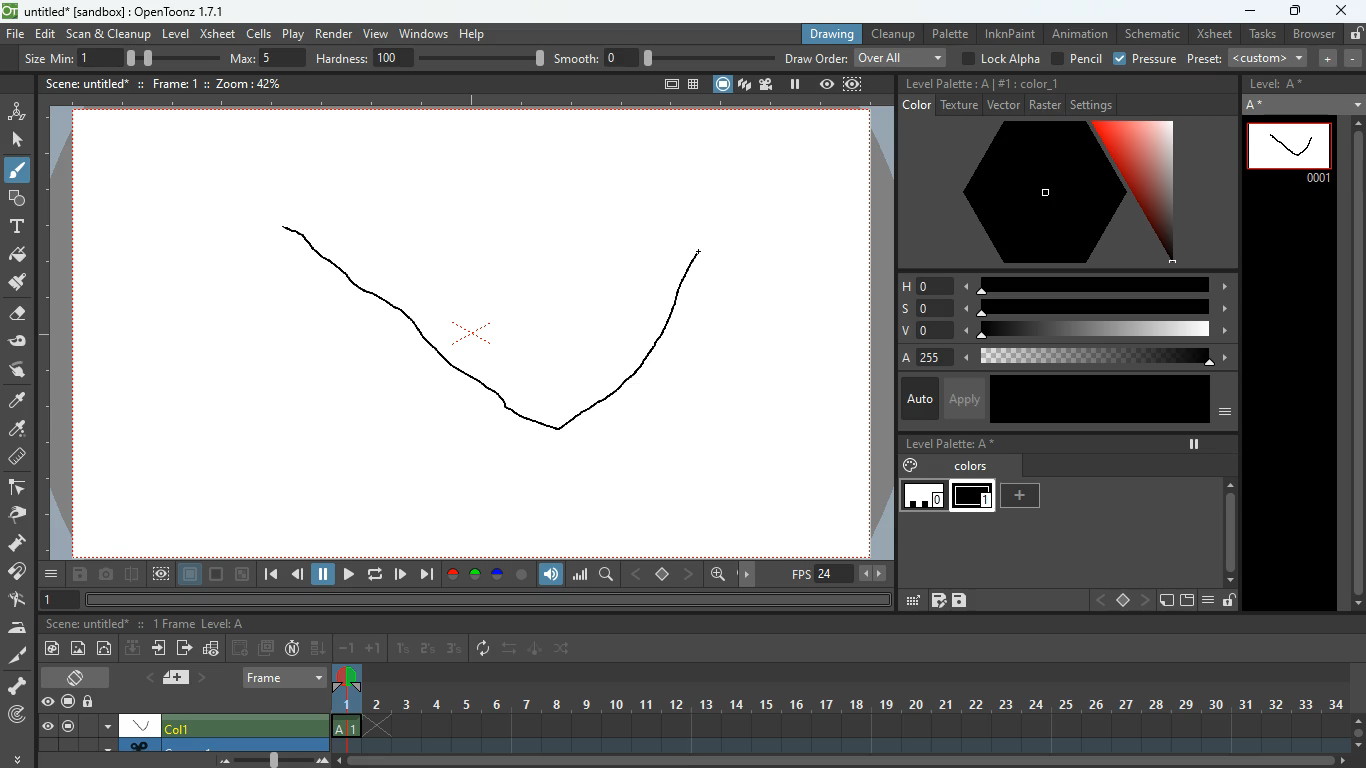 Image resolution: width=1366 pixels, height=768 pixels. I want to click on edge, so click(16, 488).